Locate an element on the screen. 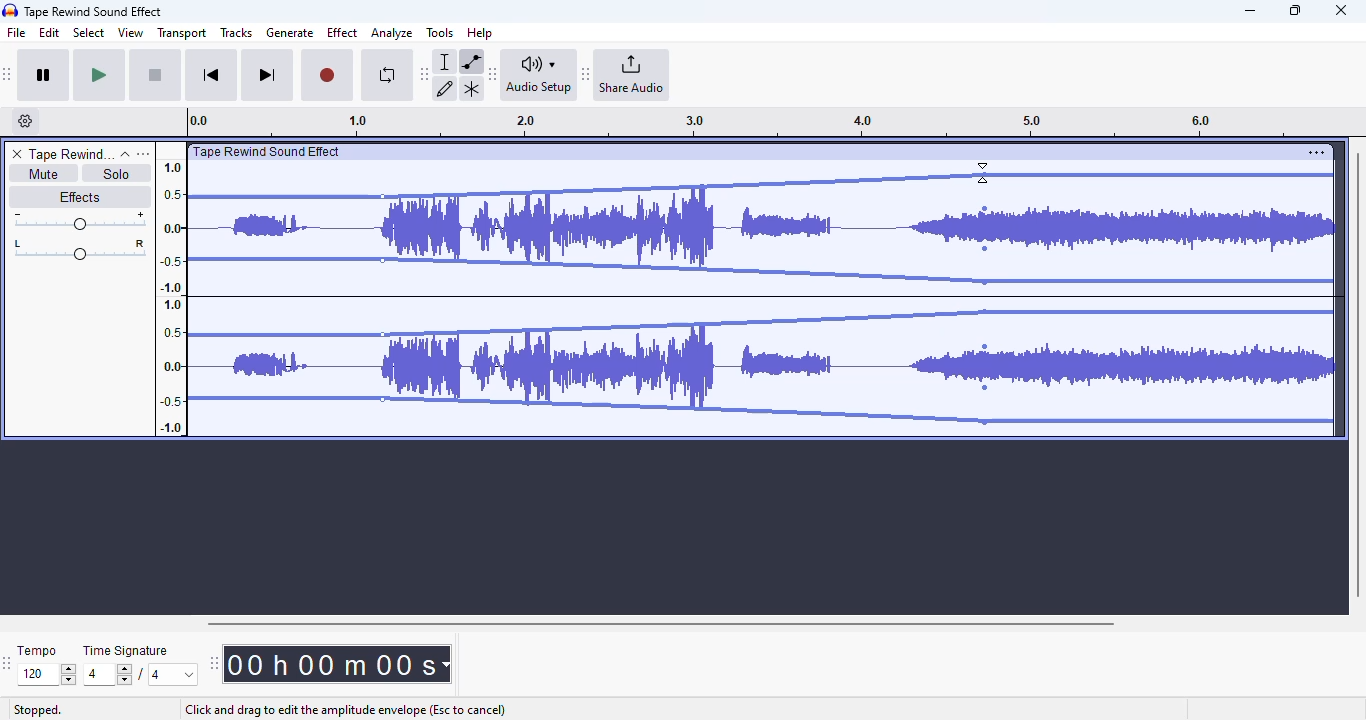 Image resolution: width=1366 pixels, height=720 pixels. draw tool is located at coordinates (446, 88).